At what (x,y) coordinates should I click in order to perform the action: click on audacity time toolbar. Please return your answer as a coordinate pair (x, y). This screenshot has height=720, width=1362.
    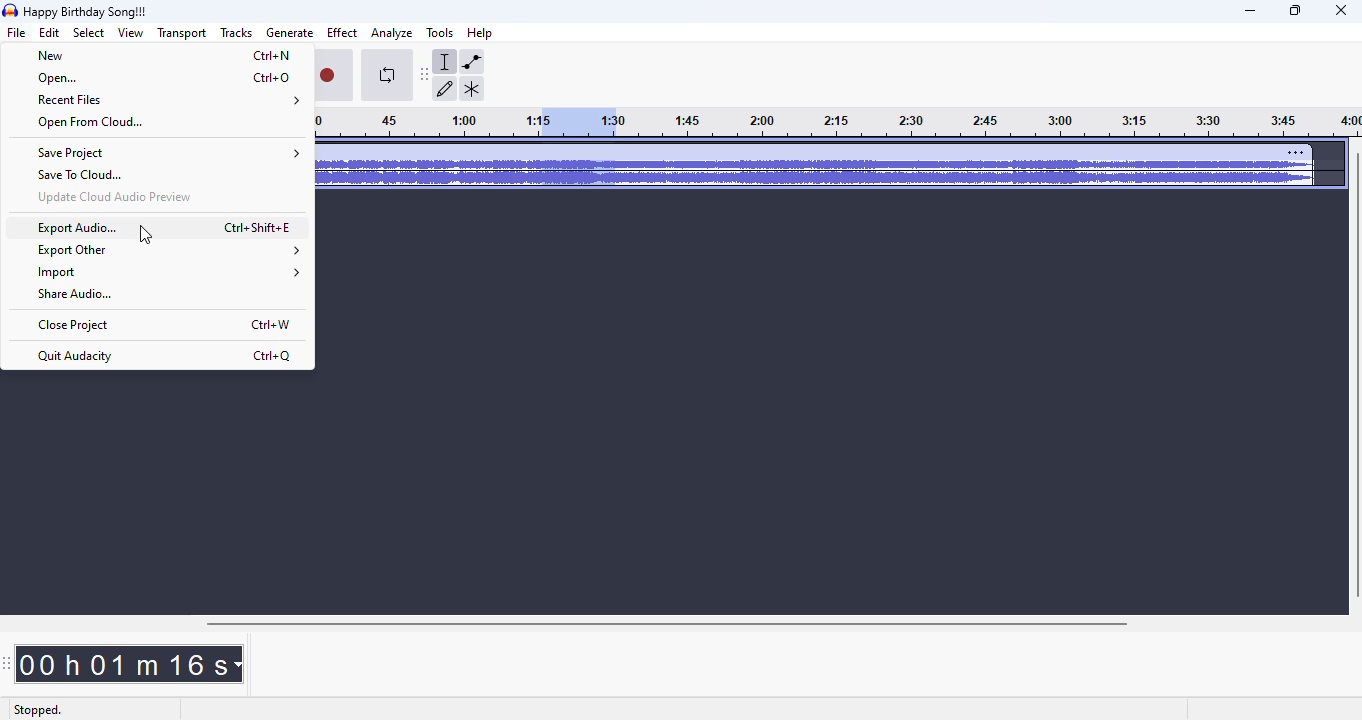
    Looking at the image, I should click on (7, 664).